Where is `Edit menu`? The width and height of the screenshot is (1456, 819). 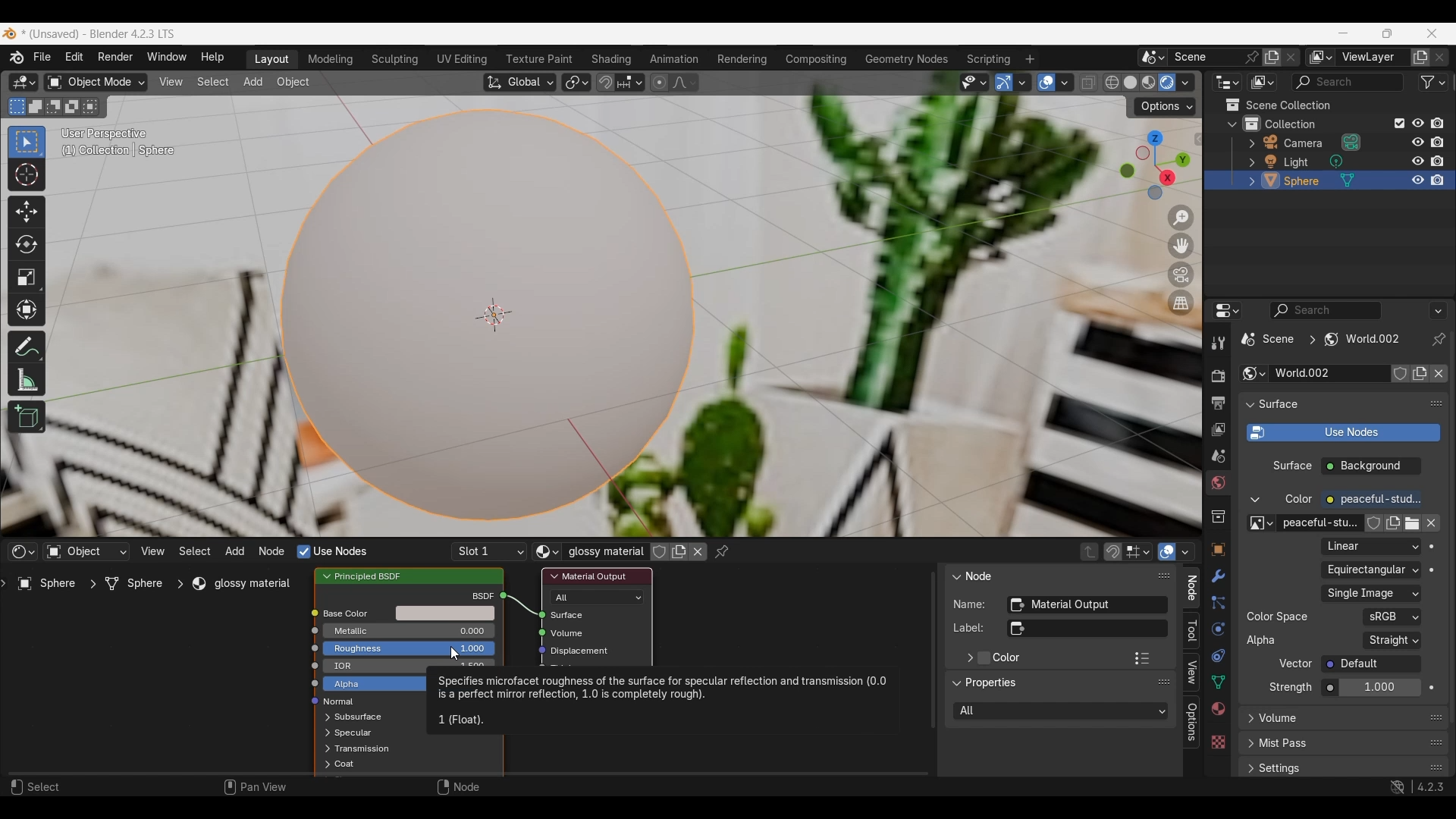 Edit menu is located at coordinates (74, 58).